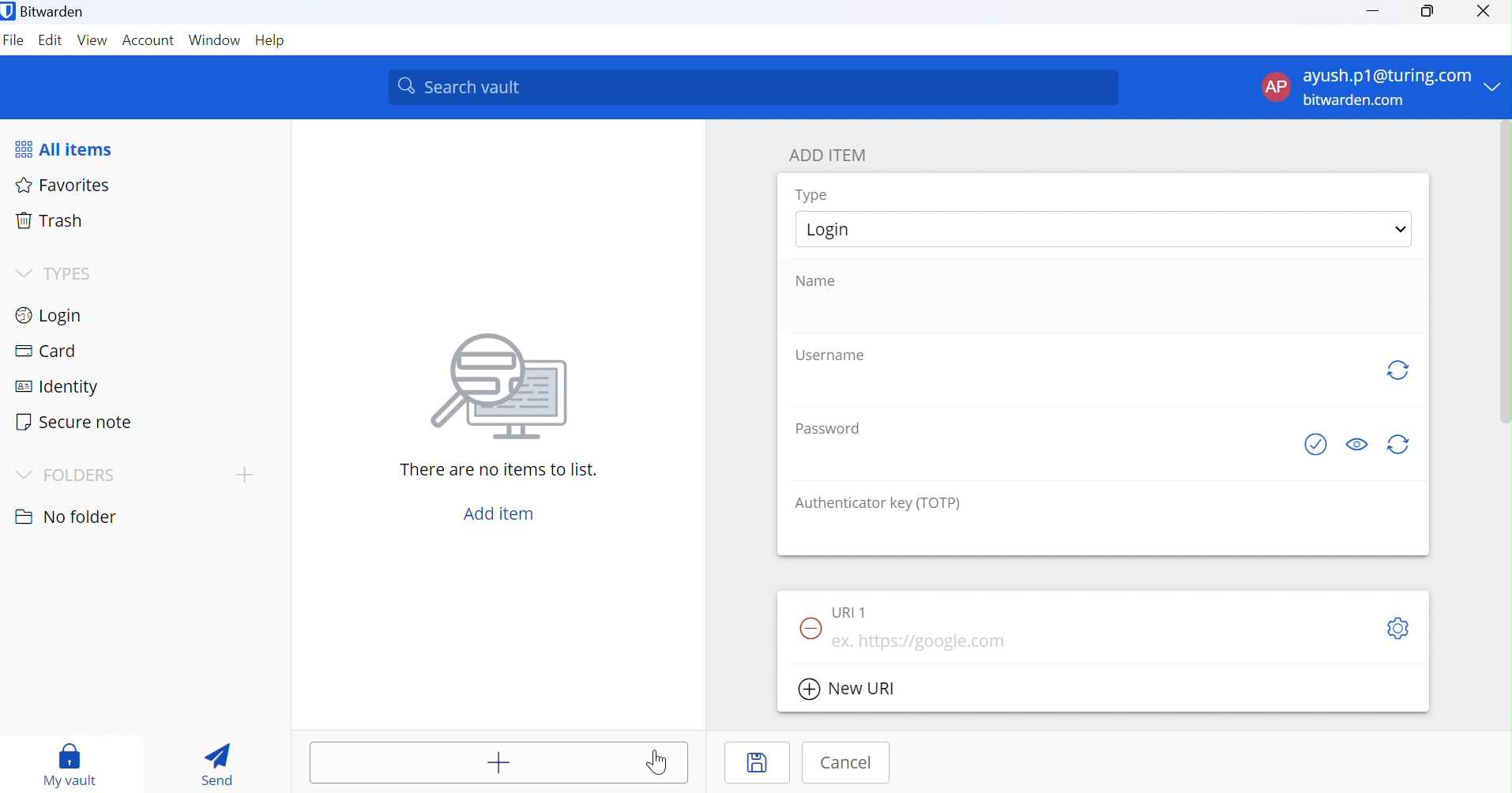 The width and height of the screenshot is (1512, 793). Describe the element at coordinates (834, 155) in the screenshot. I see `ADD ITEM` at that location.